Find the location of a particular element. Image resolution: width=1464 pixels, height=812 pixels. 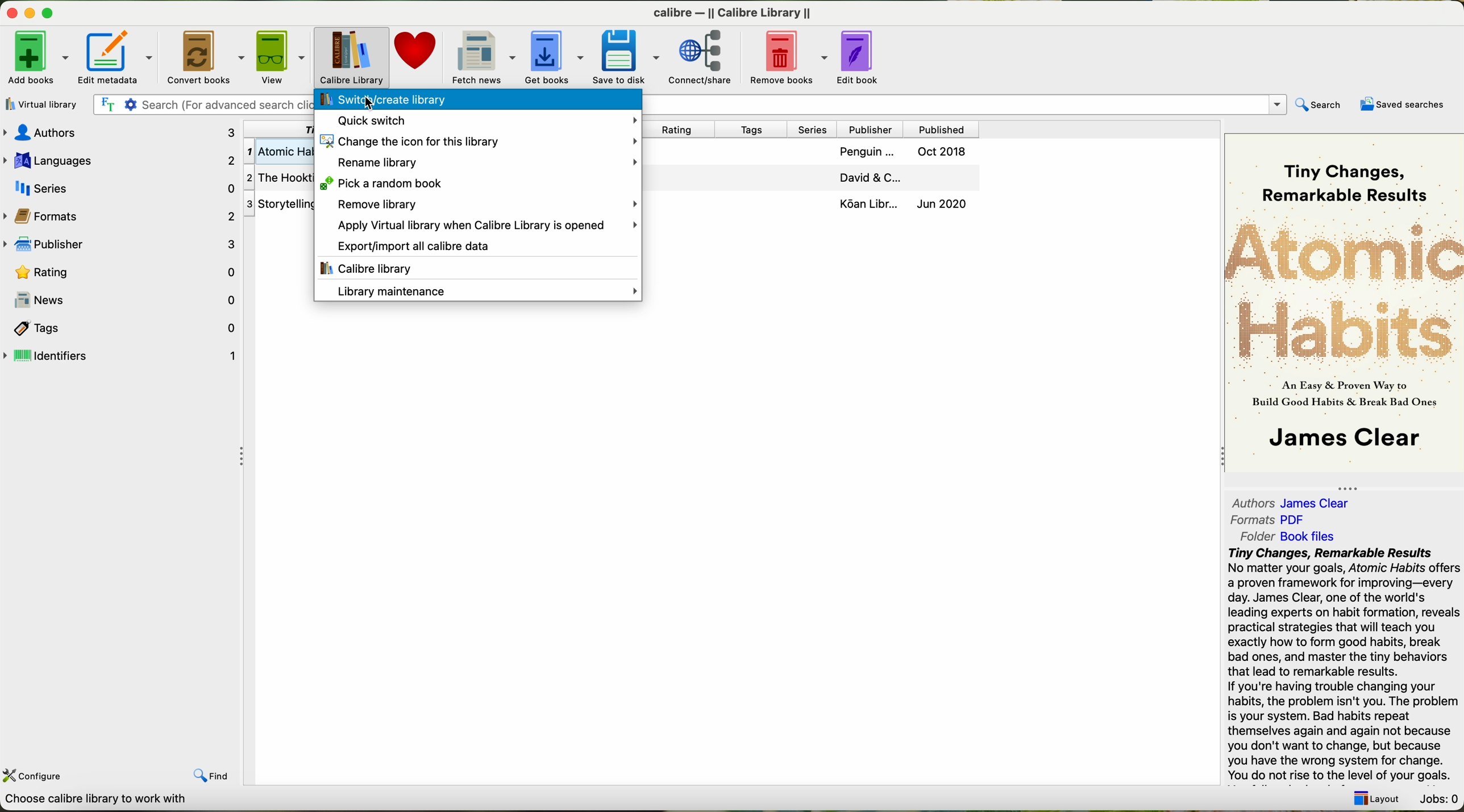

Tiny Changes,
Remarkable Results is located at coordinates (1340, 173).